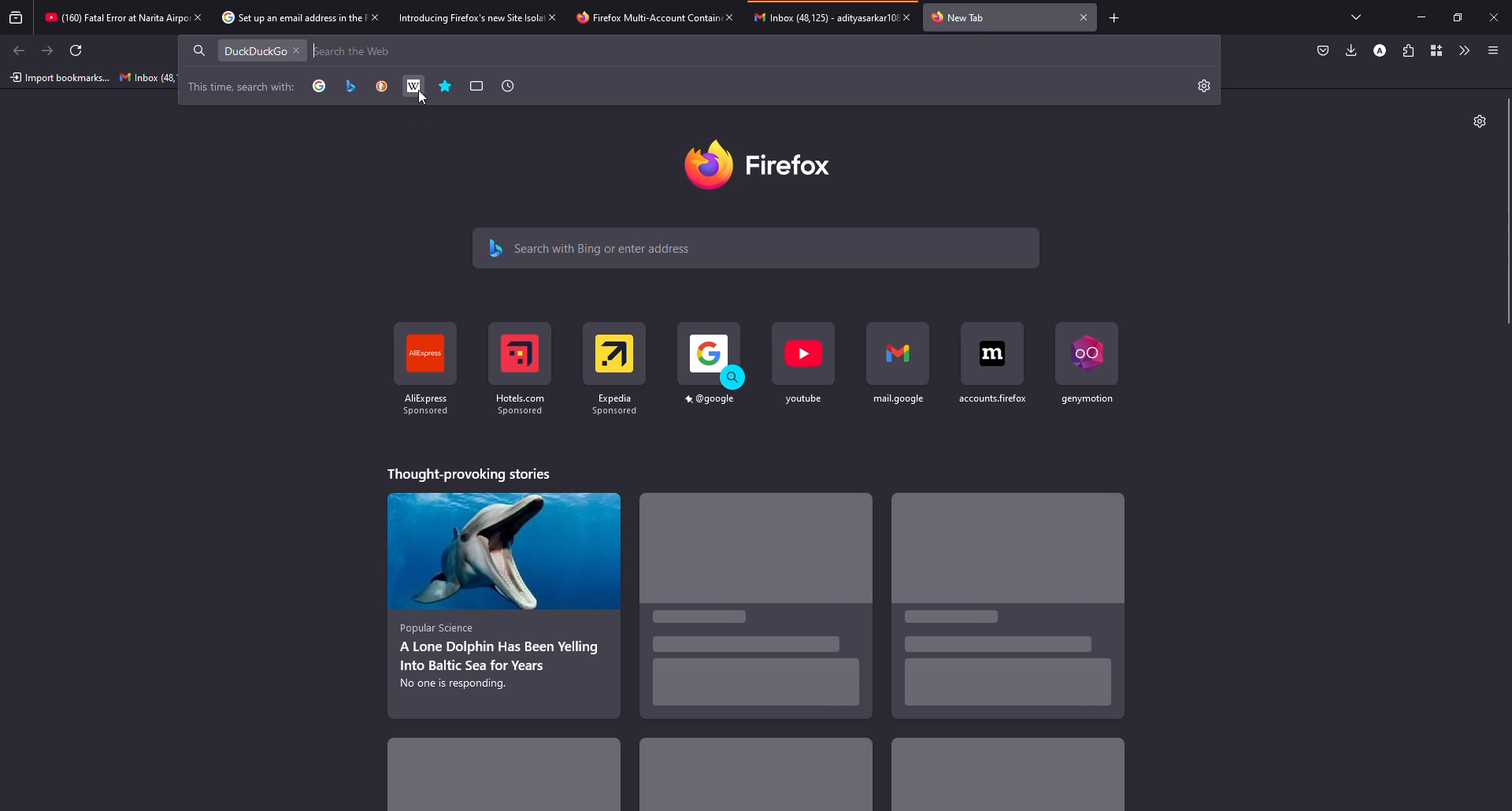 The image size is (1512, 811). What do you see at coordinates (731, 17) in the screenshot?
I see `close` at bounding box center [731, 17].